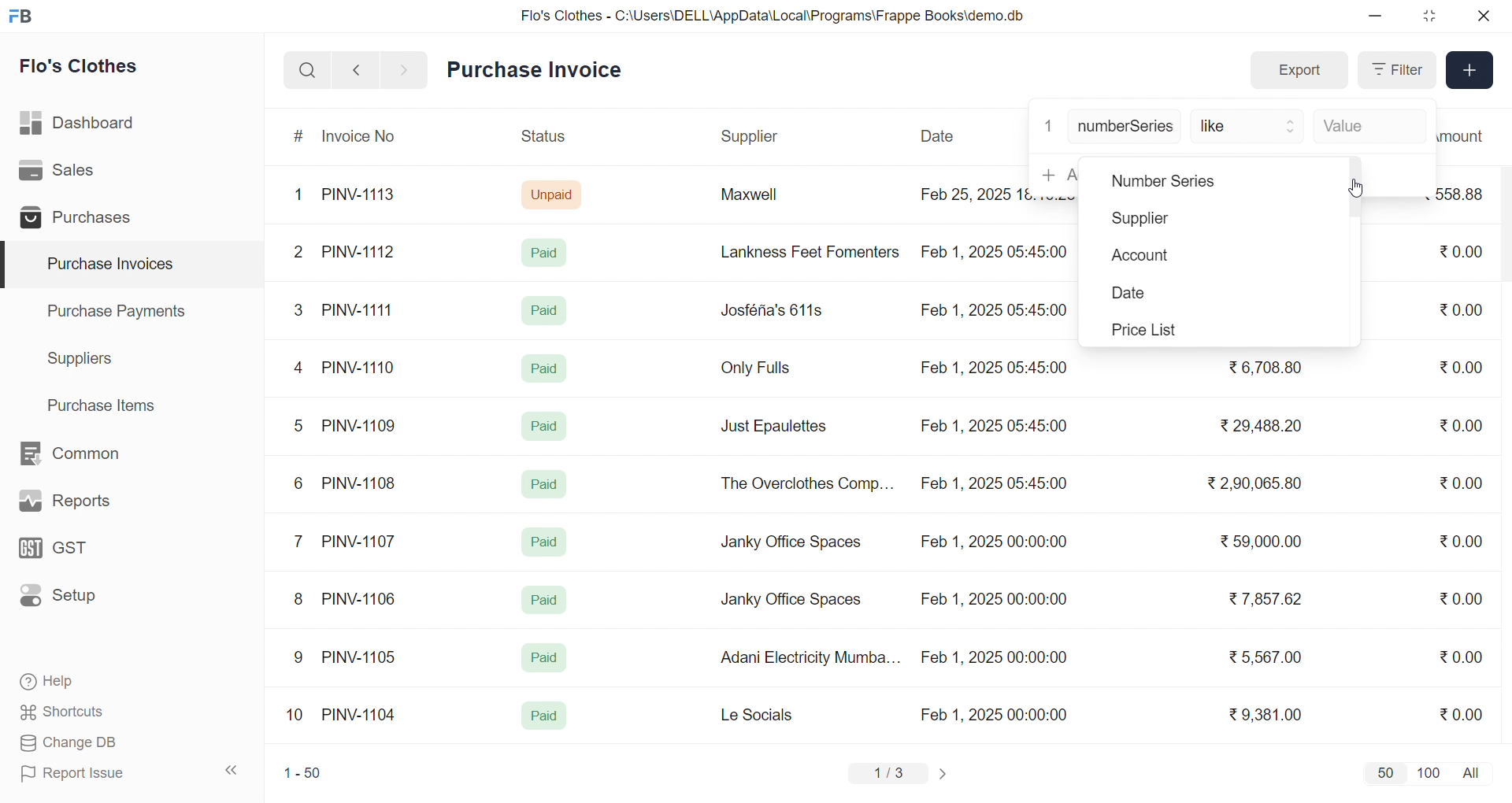 The width and height of the screenshot is (1512, 803). I want to click on 10, so click(298, 716).